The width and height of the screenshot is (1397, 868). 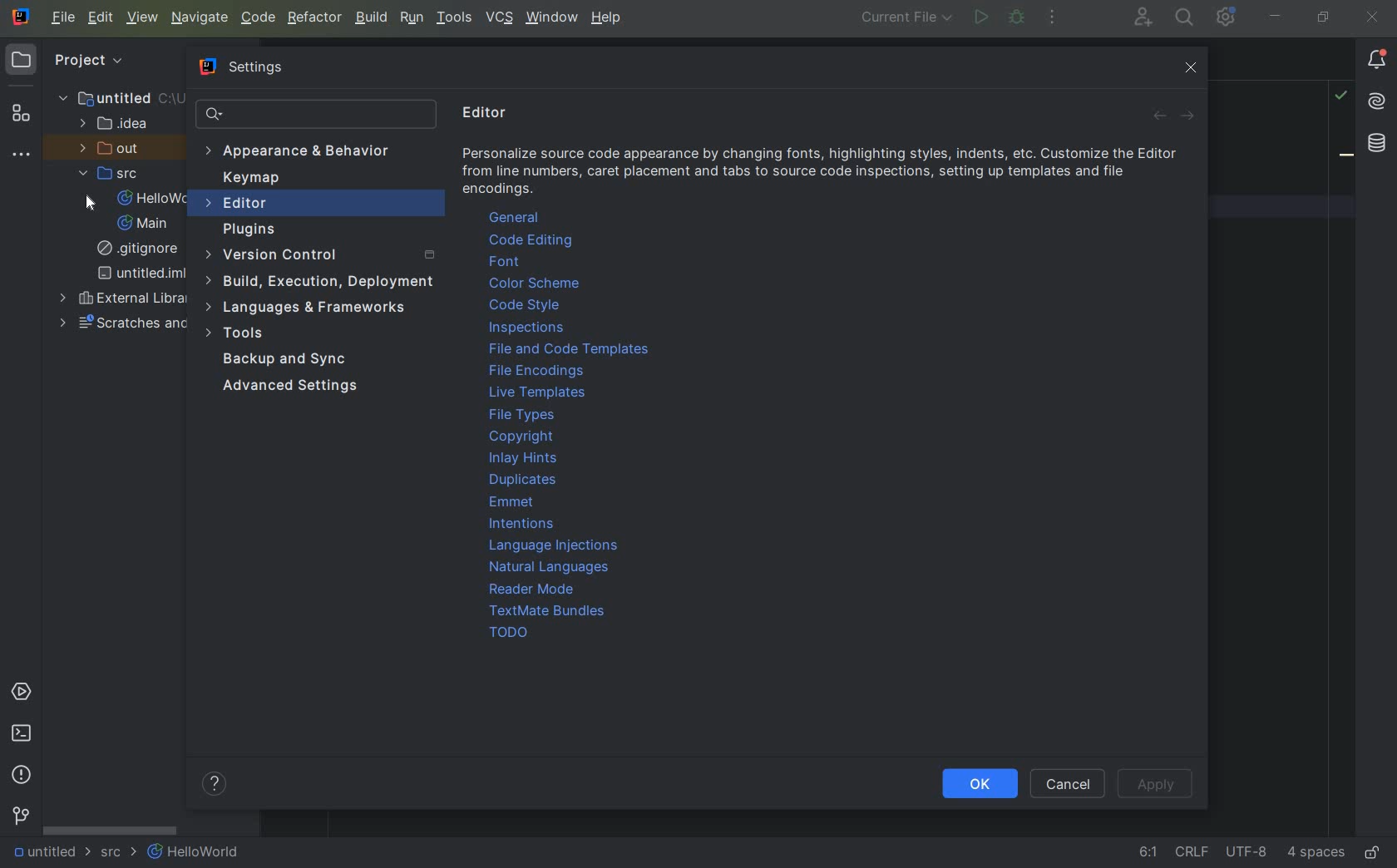 What do you see at coordinates (1176, 112) in the screenshot?
I see `Forward and backward` at bounding box center [1176, 112].